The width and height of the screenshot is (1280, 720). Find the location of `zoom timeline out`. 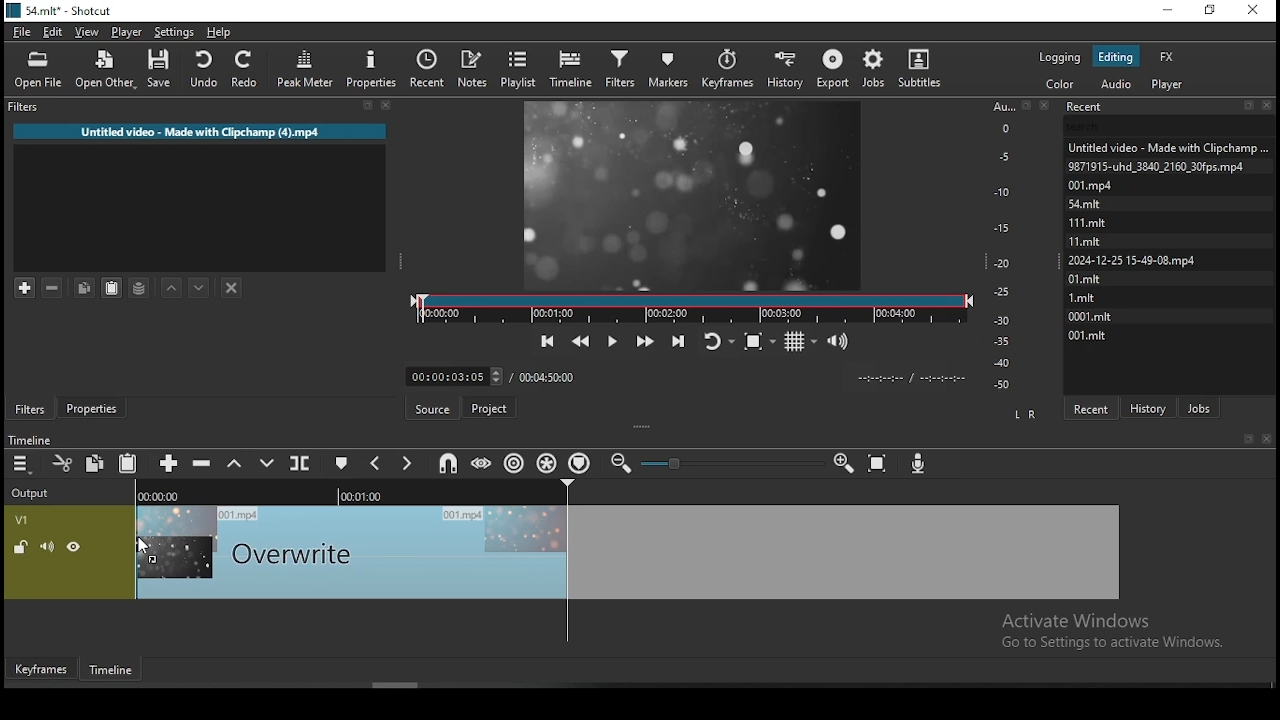

zoom timeline out is located at coordinates (843, 466).